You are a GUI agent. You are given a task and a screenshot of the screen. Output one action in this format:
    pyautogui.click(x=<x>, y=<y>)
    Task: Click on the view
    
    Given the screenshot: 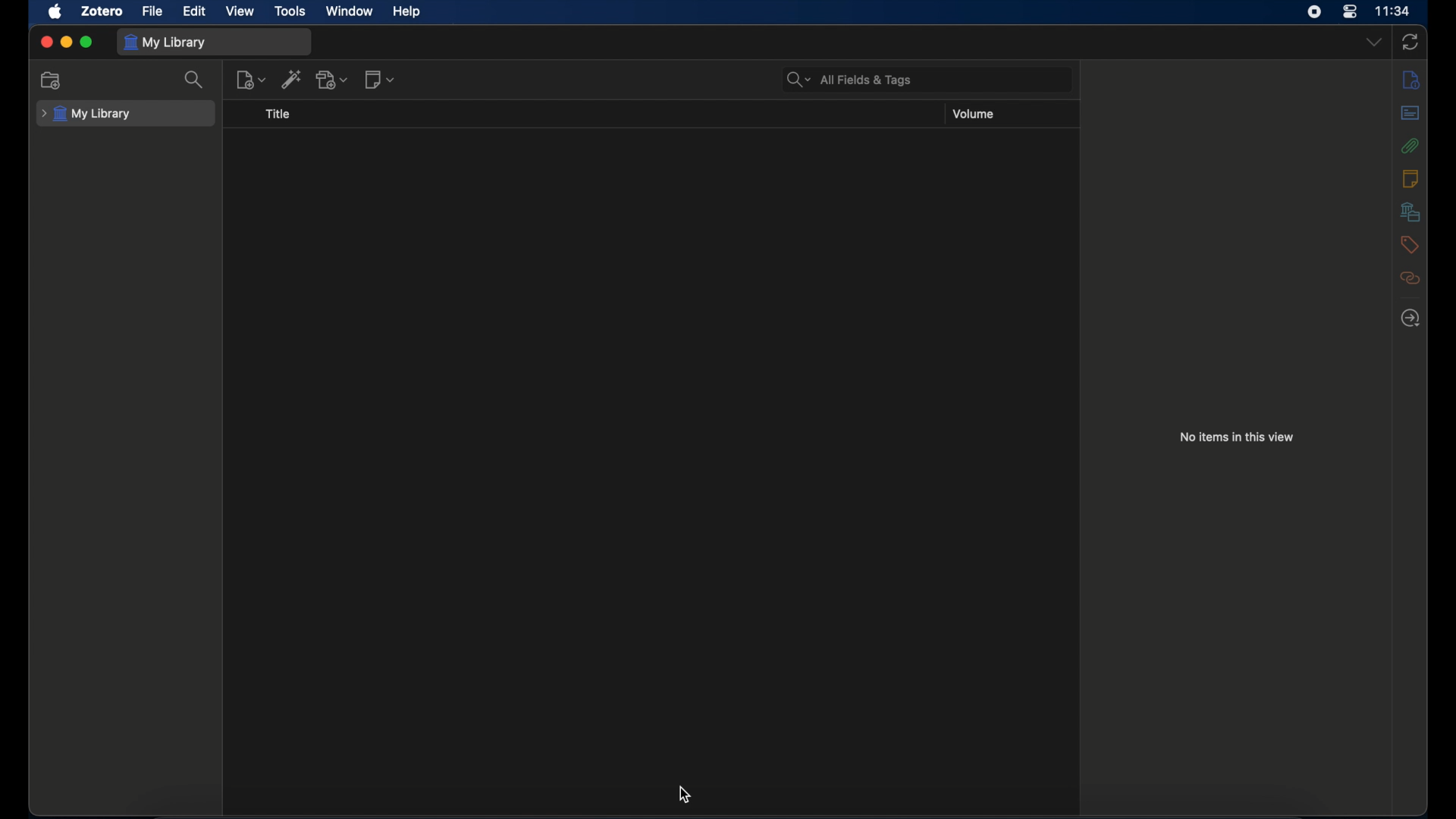 What is the action you would take?
    pyautogui.click(x=240, y=11)
    